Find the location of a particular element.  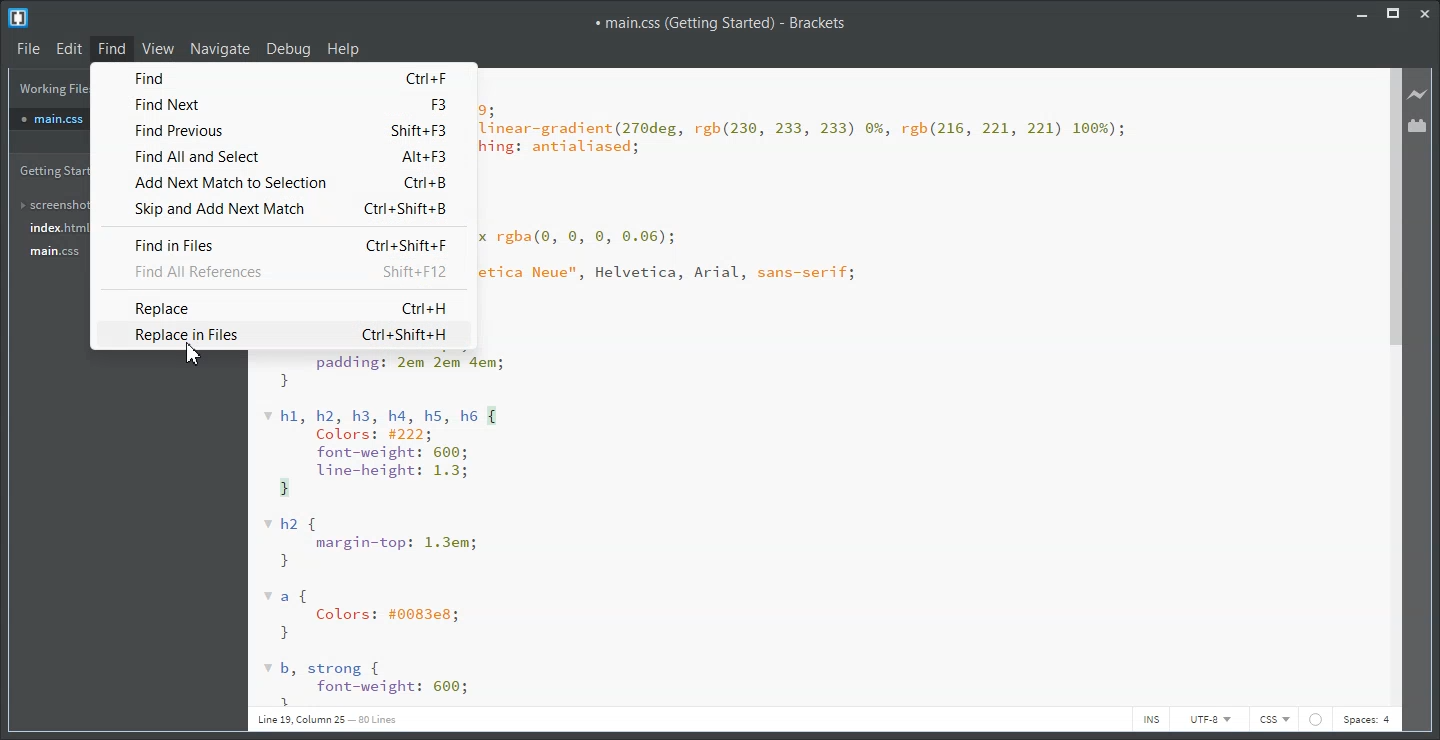

UTF-8 is located at coordinates (1208, 719).